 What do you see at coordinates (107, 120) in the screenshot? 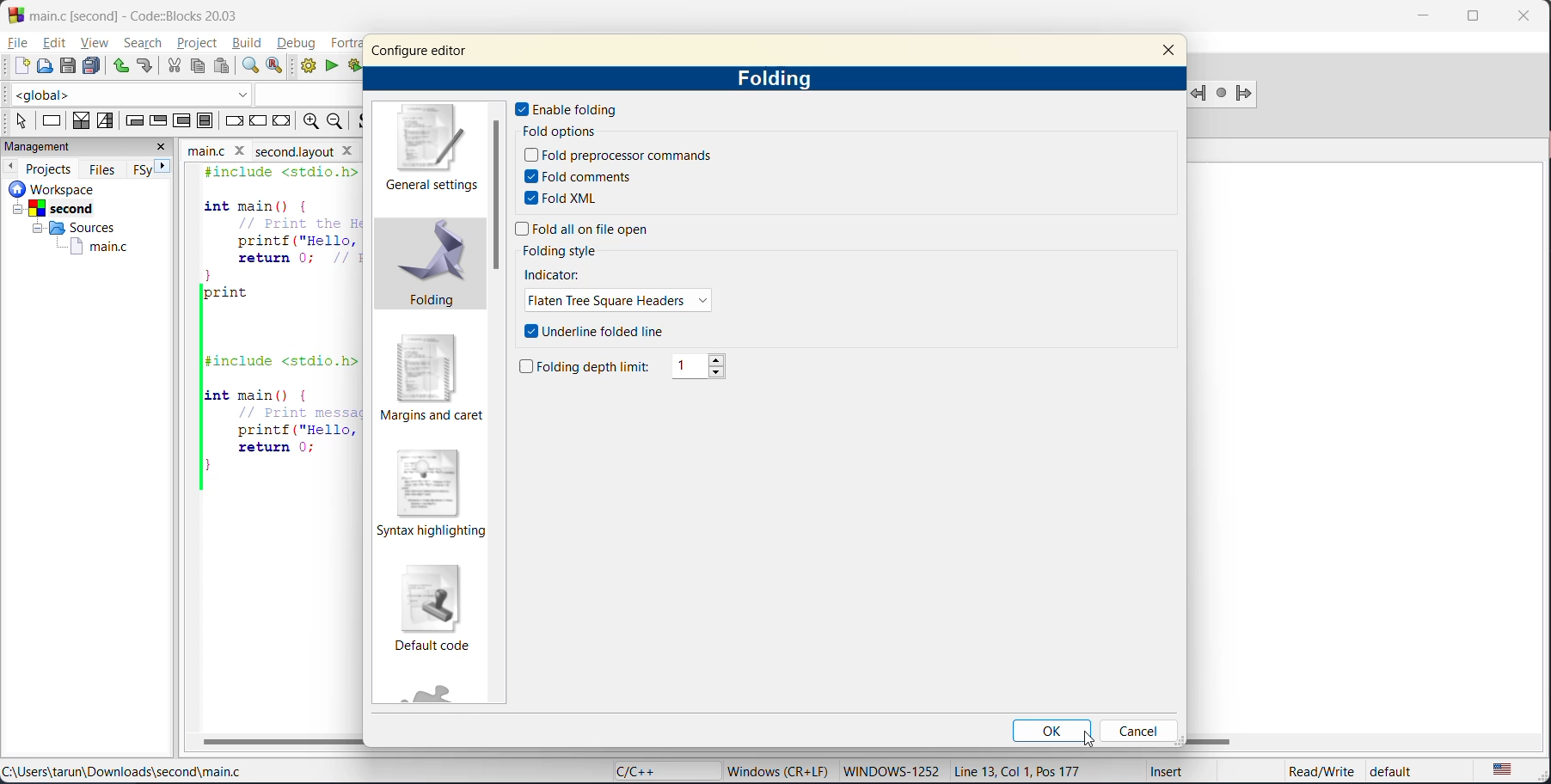
I see `selection` at bounding box center [107, 120].